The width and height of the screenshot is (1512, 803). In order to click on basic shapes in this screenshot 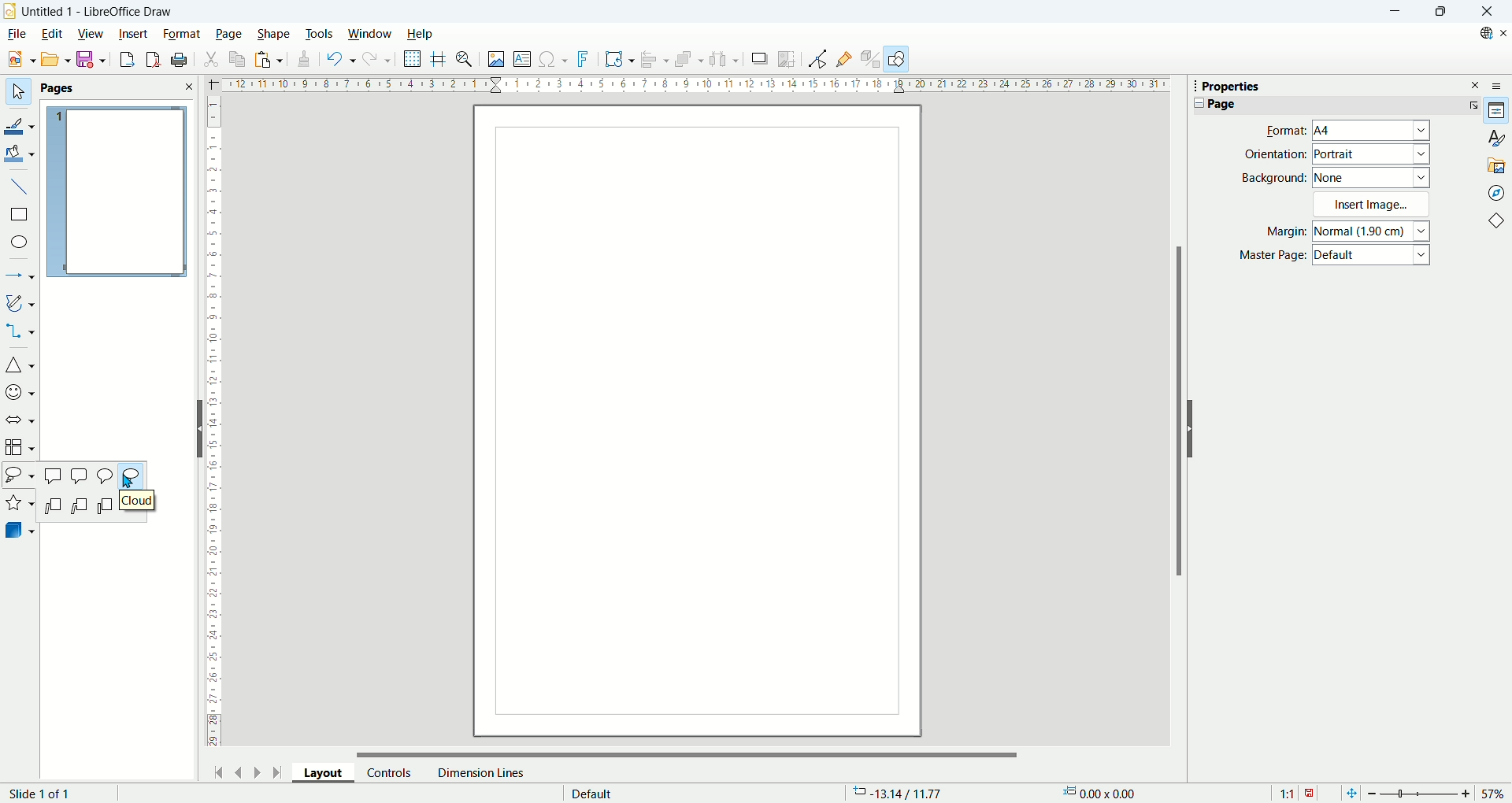, I will do `click(20, 367)`.